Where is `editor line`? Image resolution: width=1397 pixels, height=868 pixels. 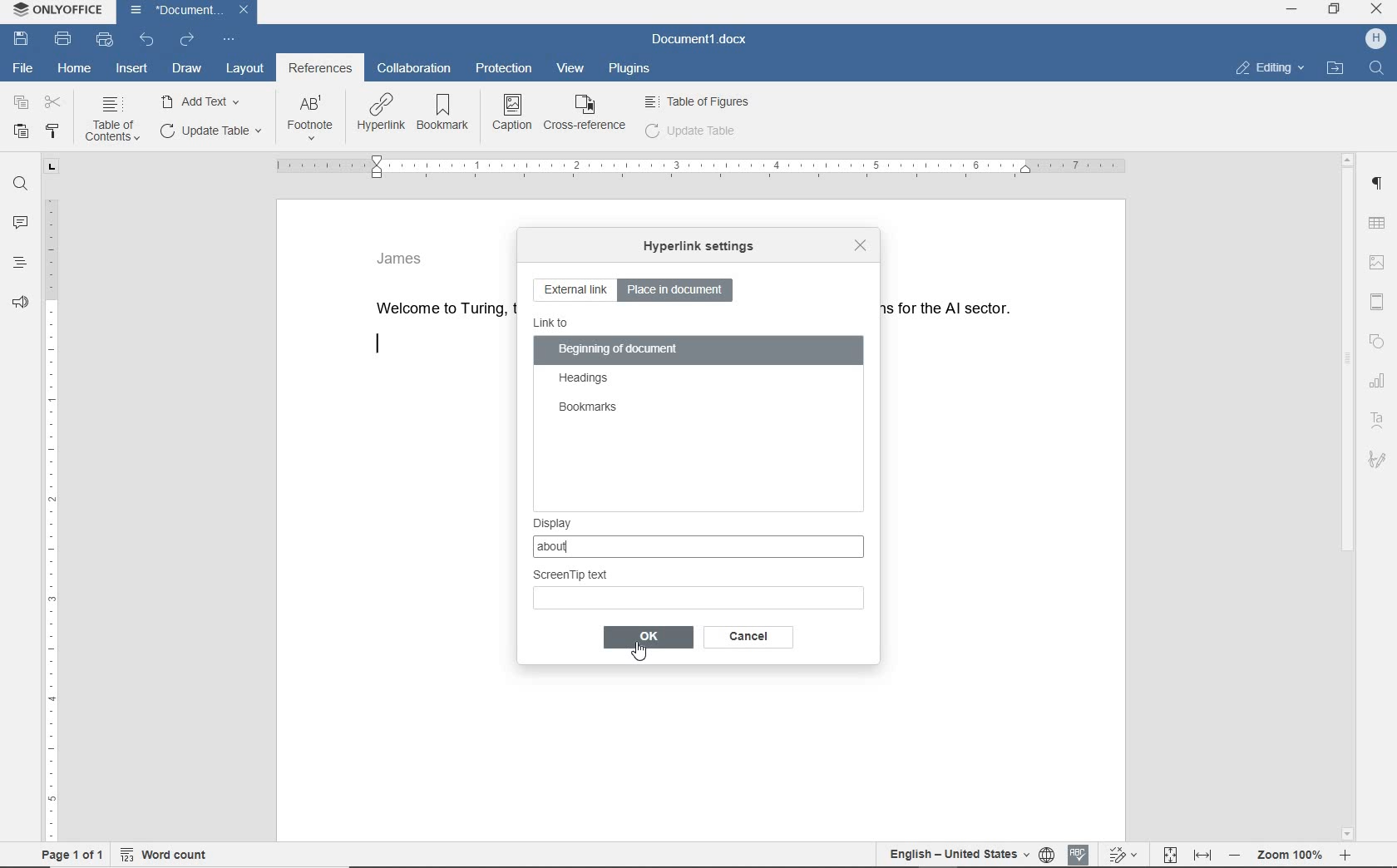 editor line is located at coordinates (378, 345).